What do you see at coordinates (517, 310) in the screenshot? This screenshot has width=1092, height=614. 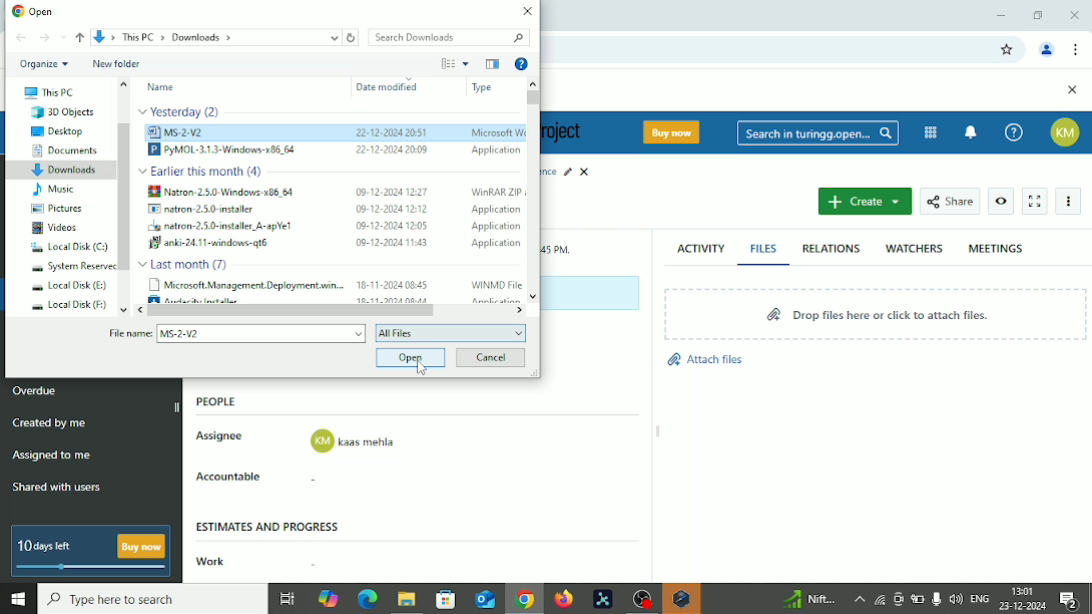 I see `move right in files` at bounding box center [517, 310].